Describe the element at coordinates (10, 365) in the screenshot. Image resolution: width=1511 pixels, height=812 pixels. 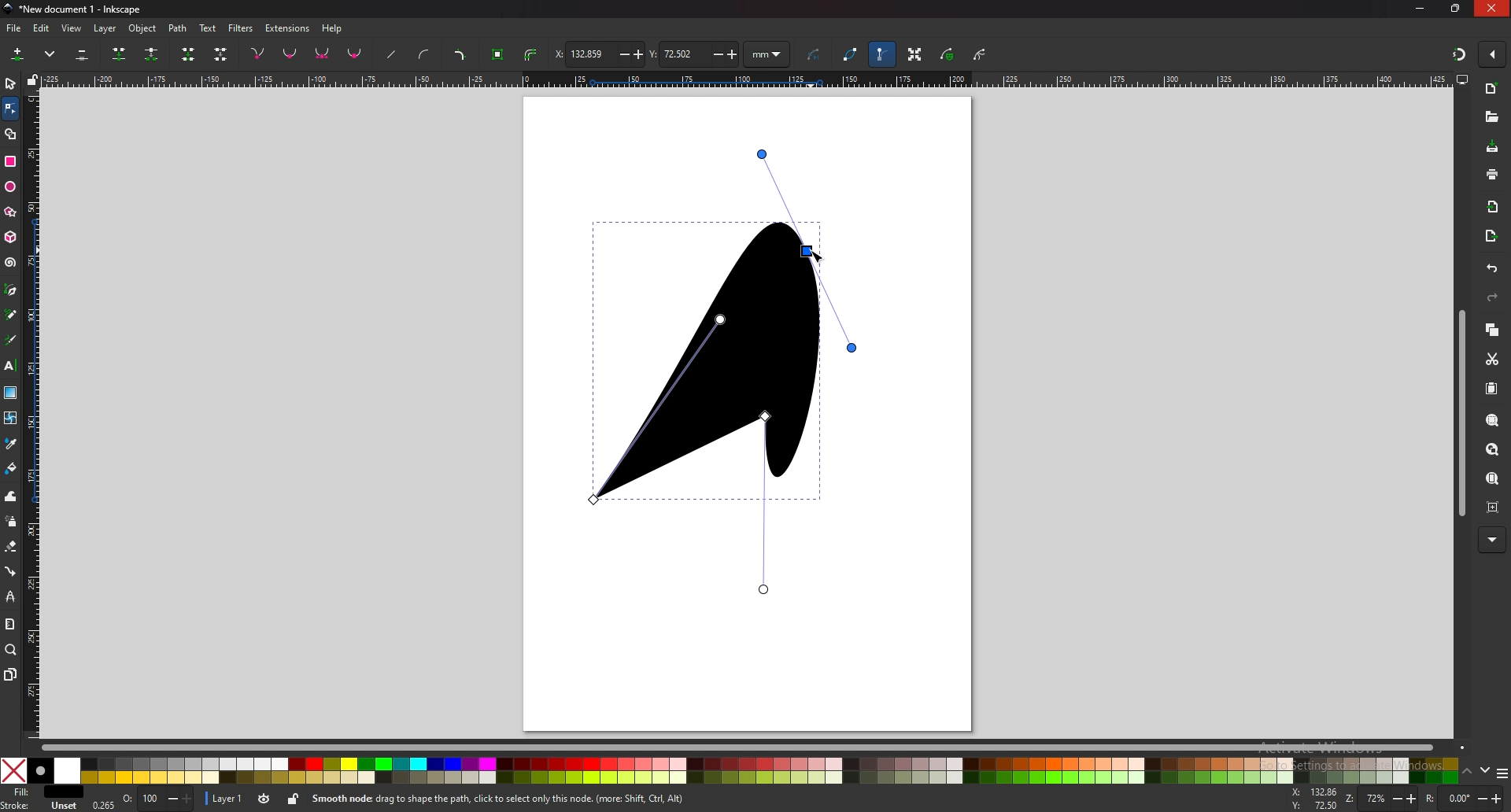
I see `text` at that location.